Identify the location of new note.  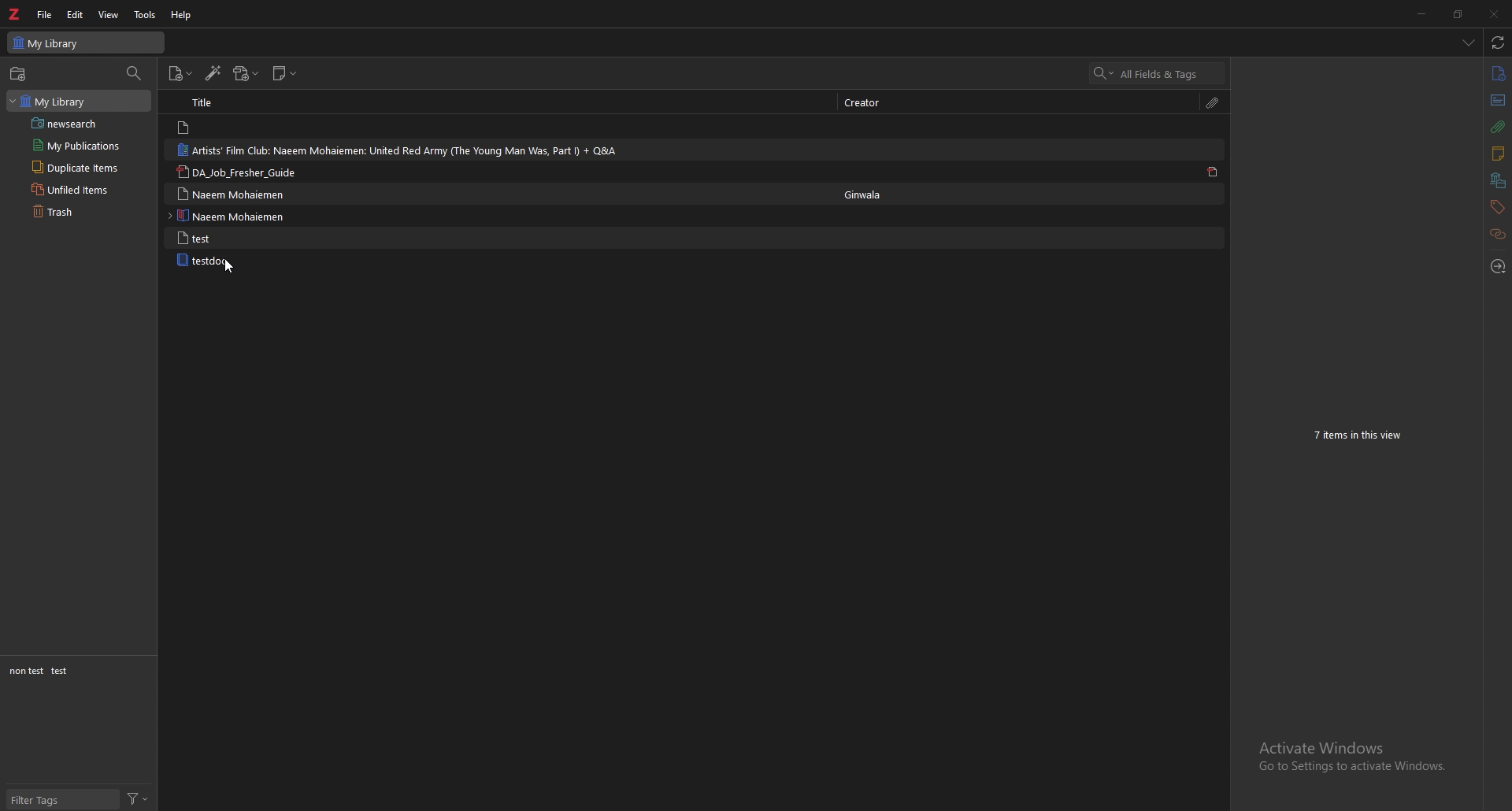
(286, 74).